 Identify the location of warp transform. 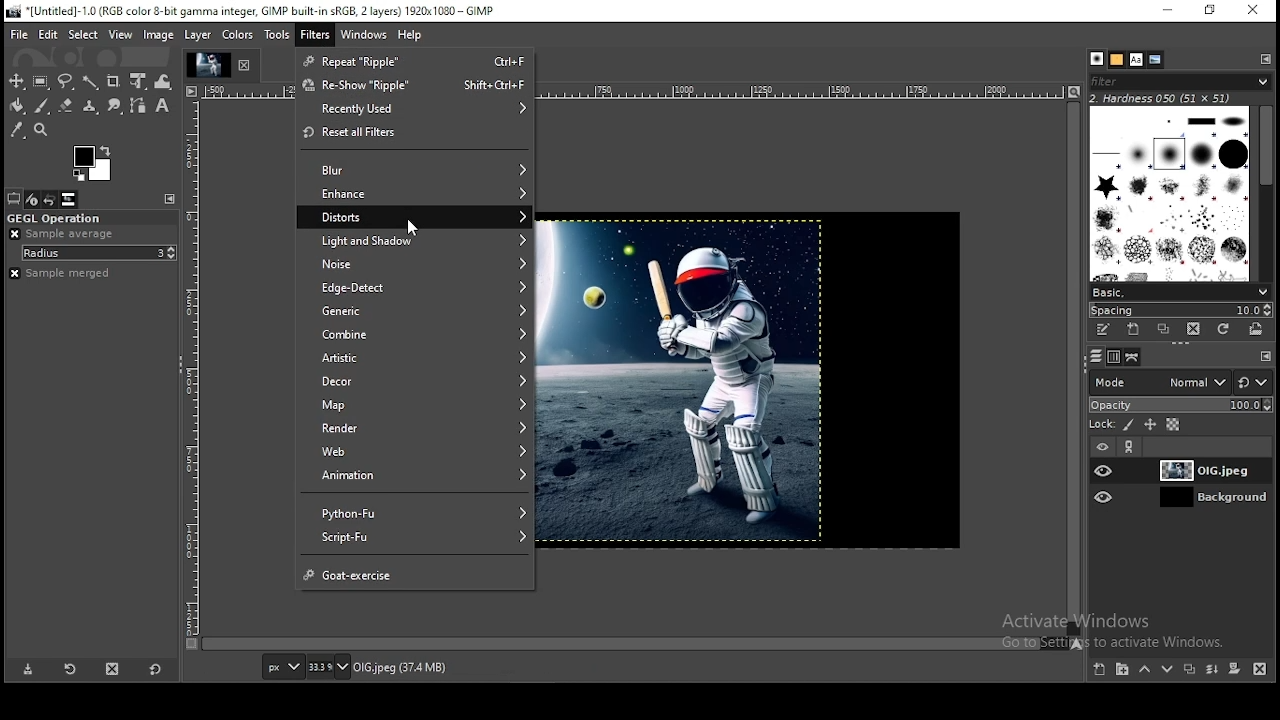
(163, 80).